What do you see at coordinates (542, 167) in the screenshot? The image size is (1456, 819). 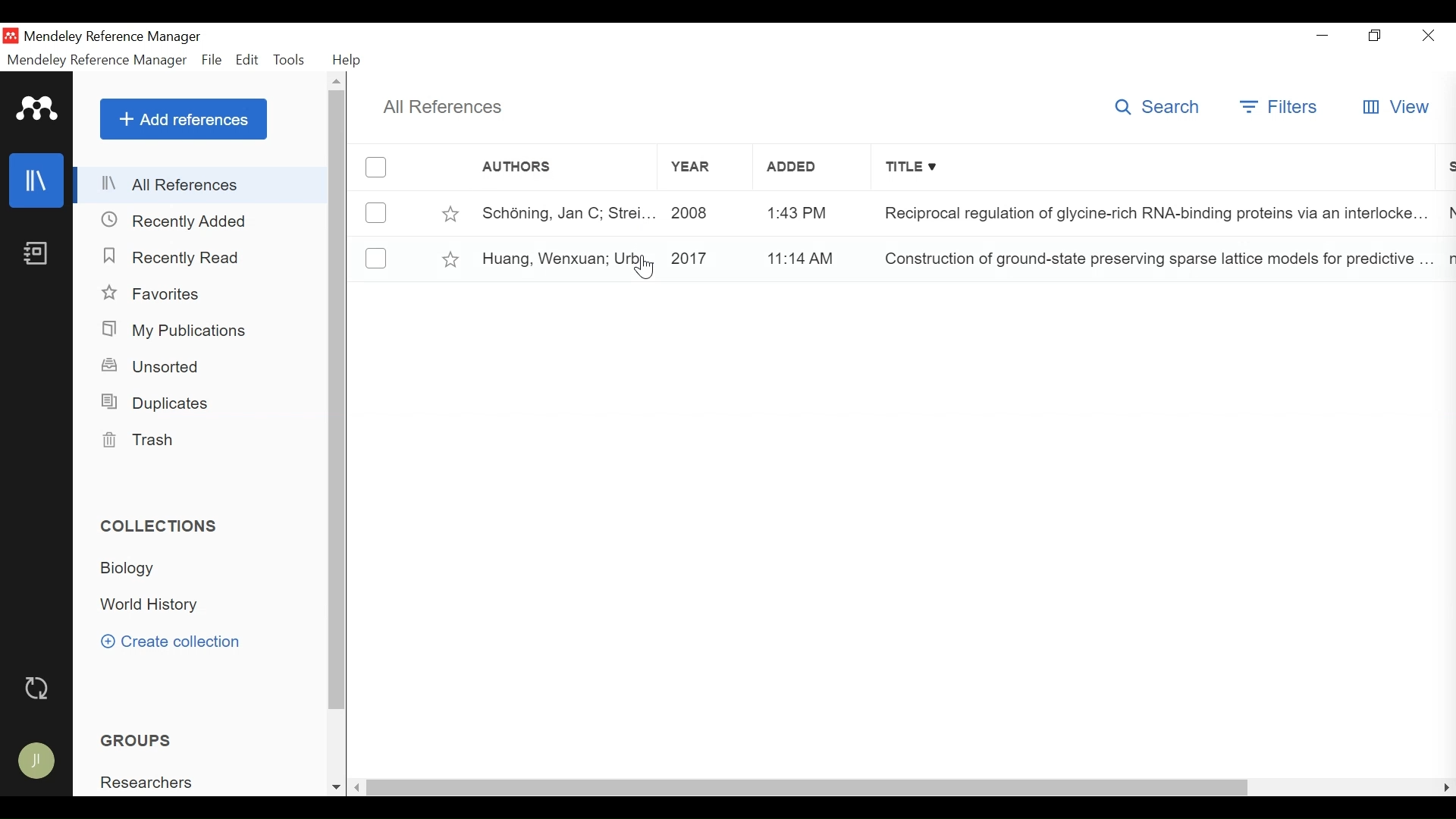 I see `Author` at bounding box center [542, 167].